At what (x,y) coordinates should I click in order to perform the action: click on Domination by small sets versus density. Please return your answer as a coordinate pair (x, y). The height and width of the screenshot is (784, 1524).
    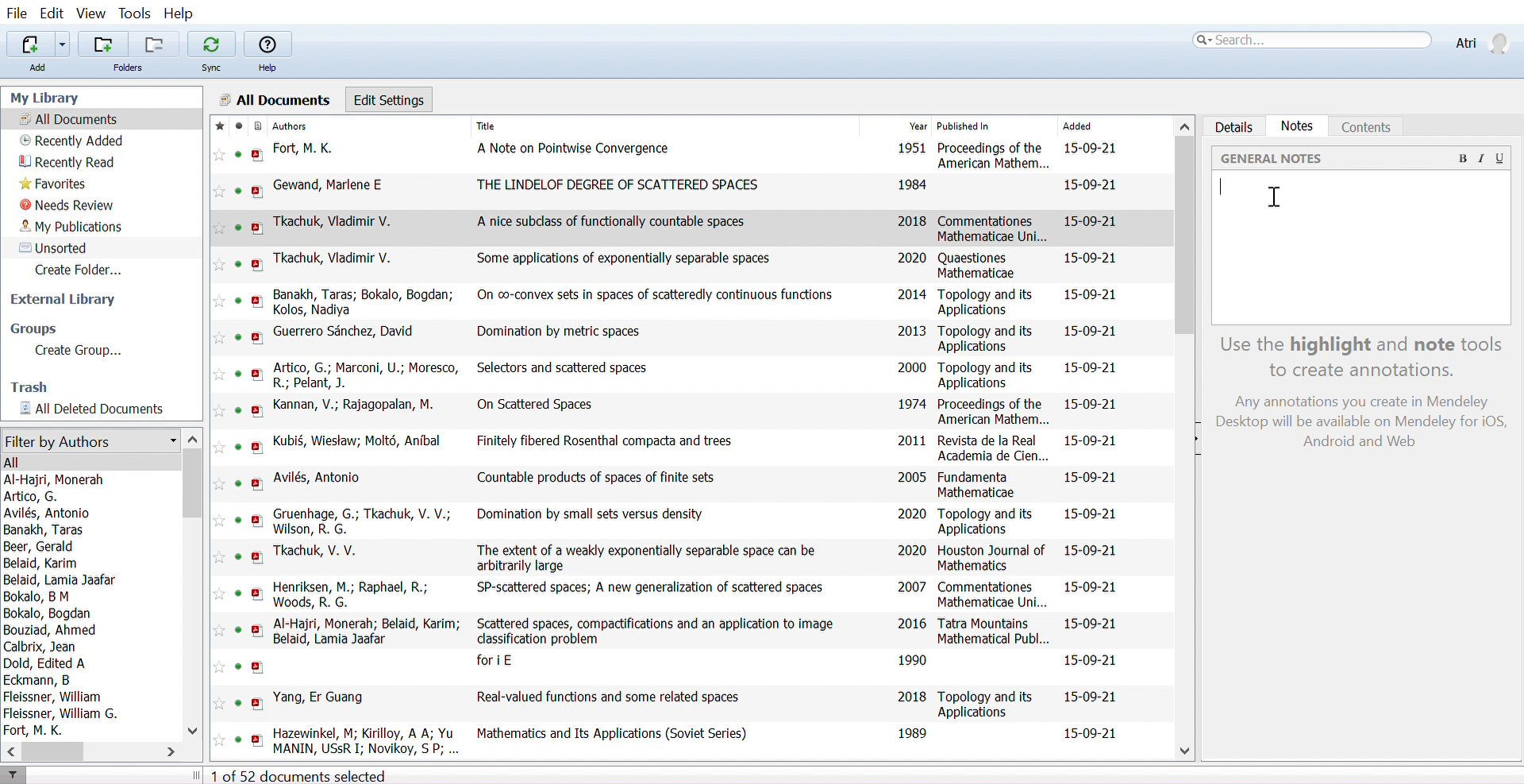
    Looking at the image, I should click on (592, 515).